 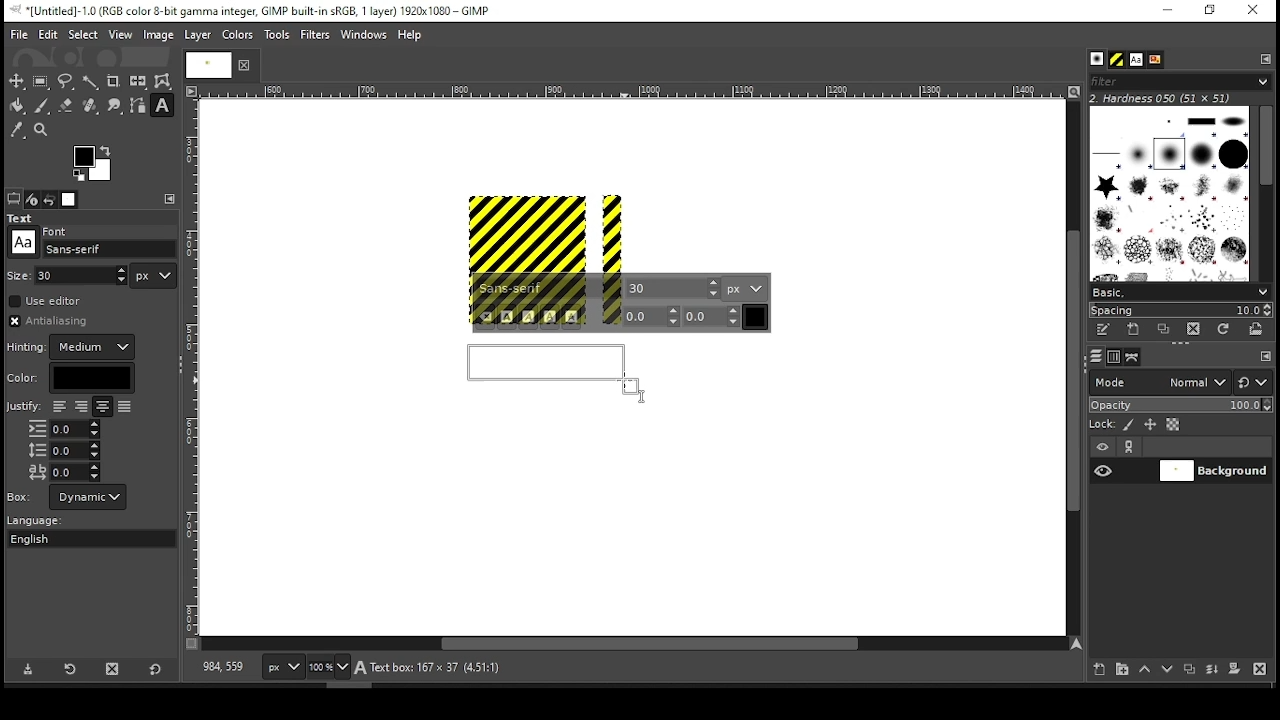 What do you see at coordinates (1103, 447) in the screenshot?
I see `layer visibility` at bounding box center [1103, 447].